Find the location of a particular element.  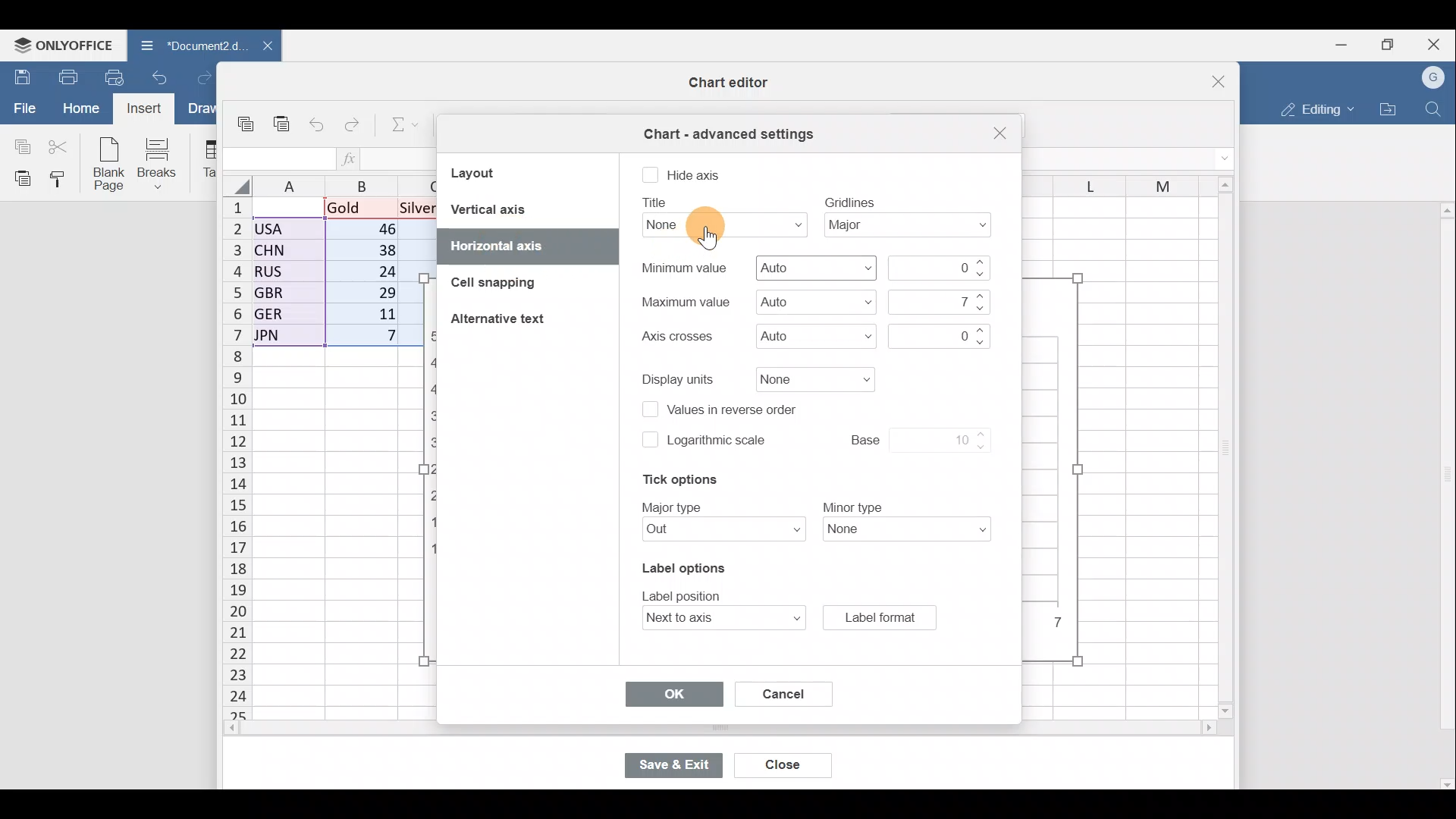

text is located at coordinates (850, 201).